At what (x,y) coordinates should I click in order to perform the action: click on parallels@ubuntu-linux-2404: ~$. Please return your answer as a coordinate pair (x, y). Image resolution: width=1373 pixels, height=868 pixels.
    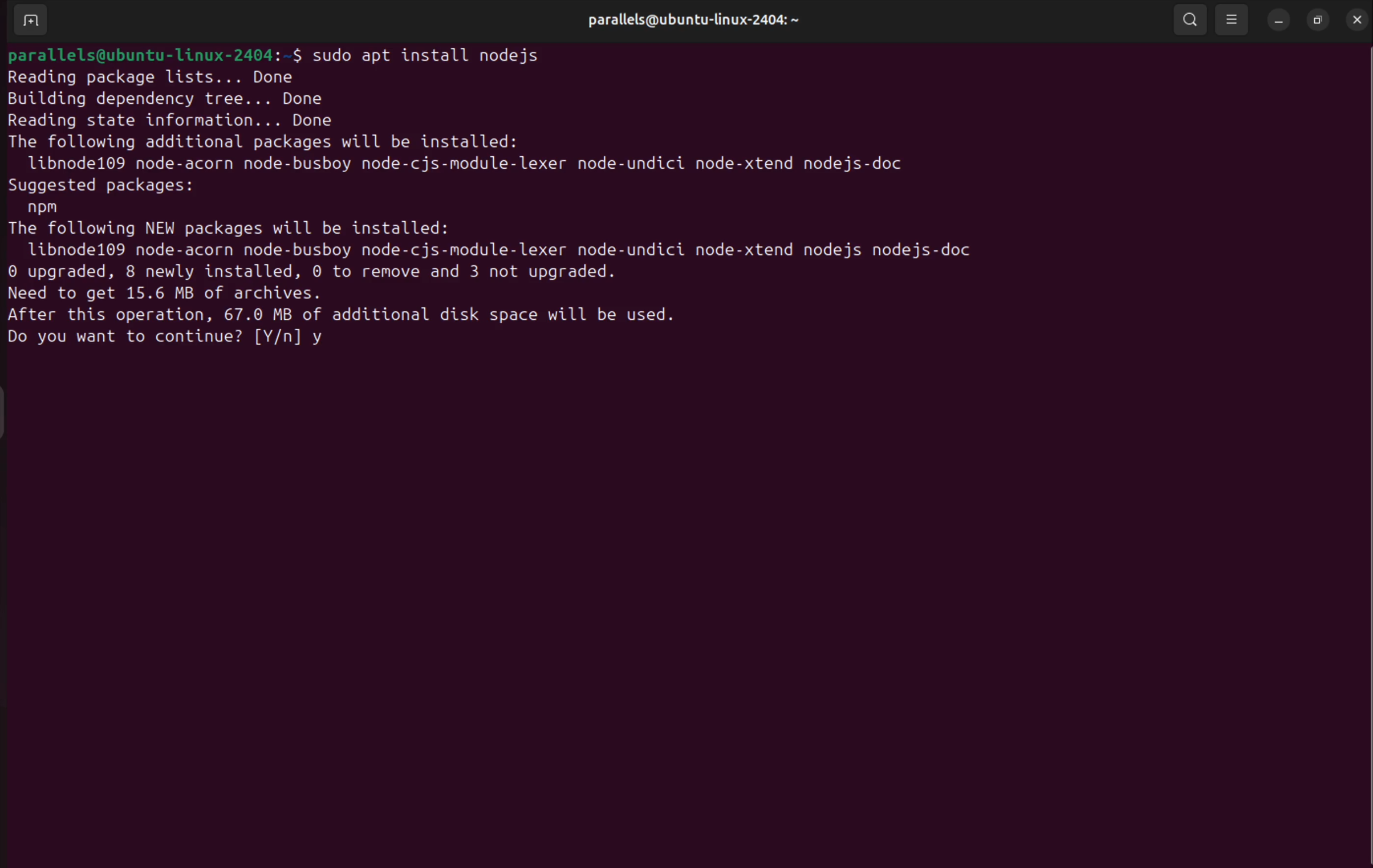
    Looking at the image, I should click on (153, 54).